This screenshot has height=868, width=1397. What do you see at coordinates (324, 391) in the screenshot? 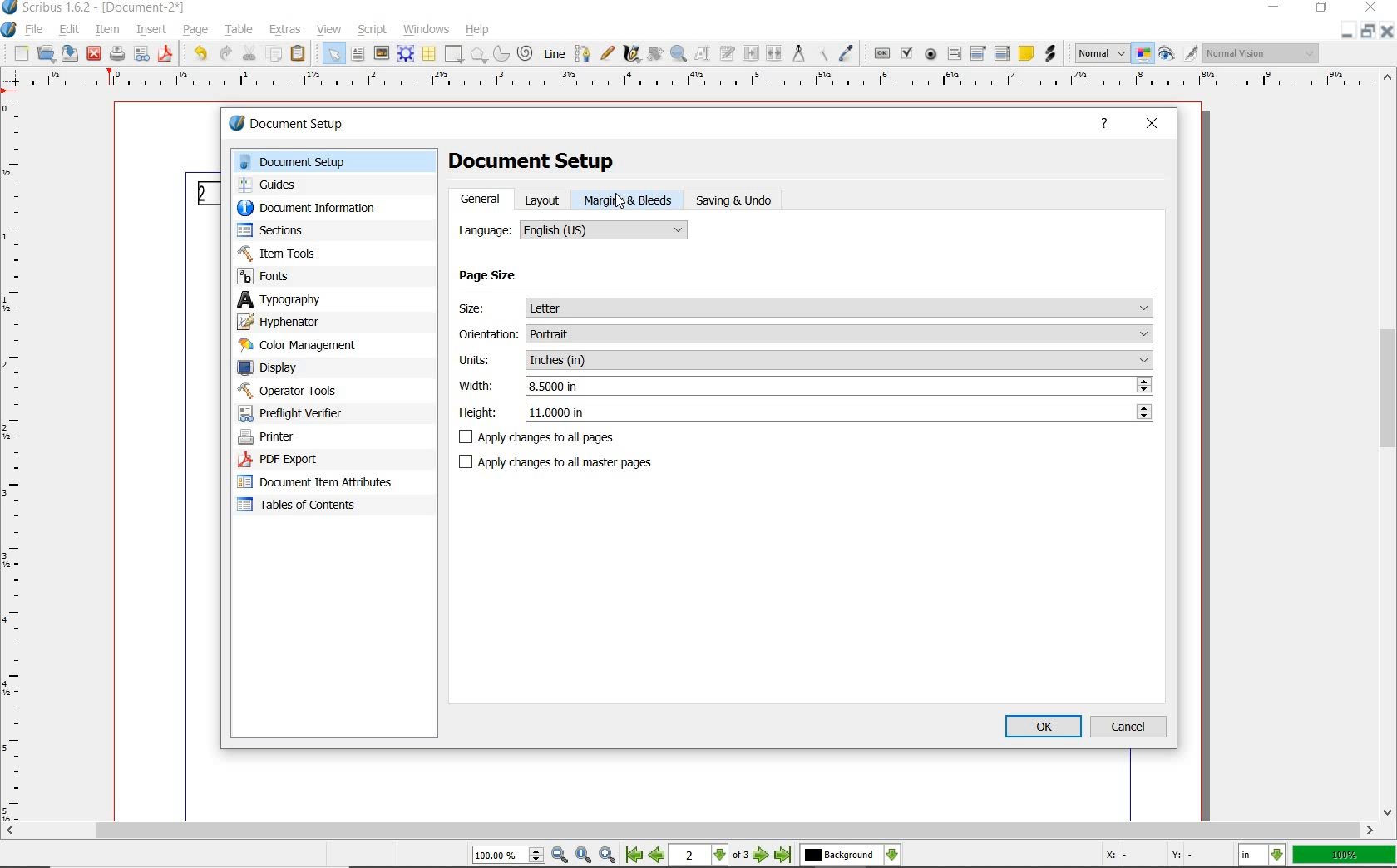
I see `operator tools` at bounding box center [324, 391].